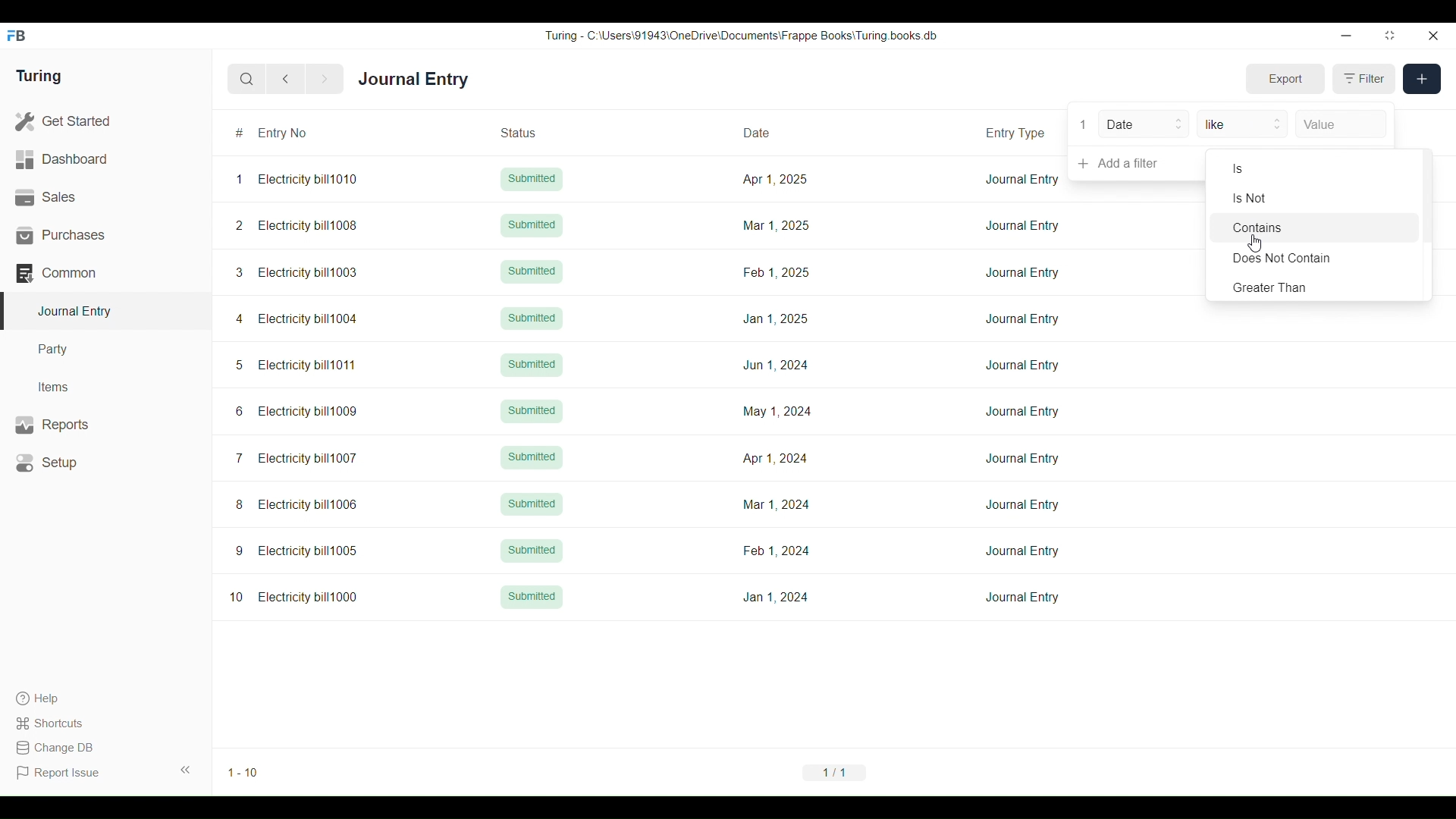 Image resolution: width=1456 pixels, height=819 pixels. I want to click on Submitted, so click(532, 550).